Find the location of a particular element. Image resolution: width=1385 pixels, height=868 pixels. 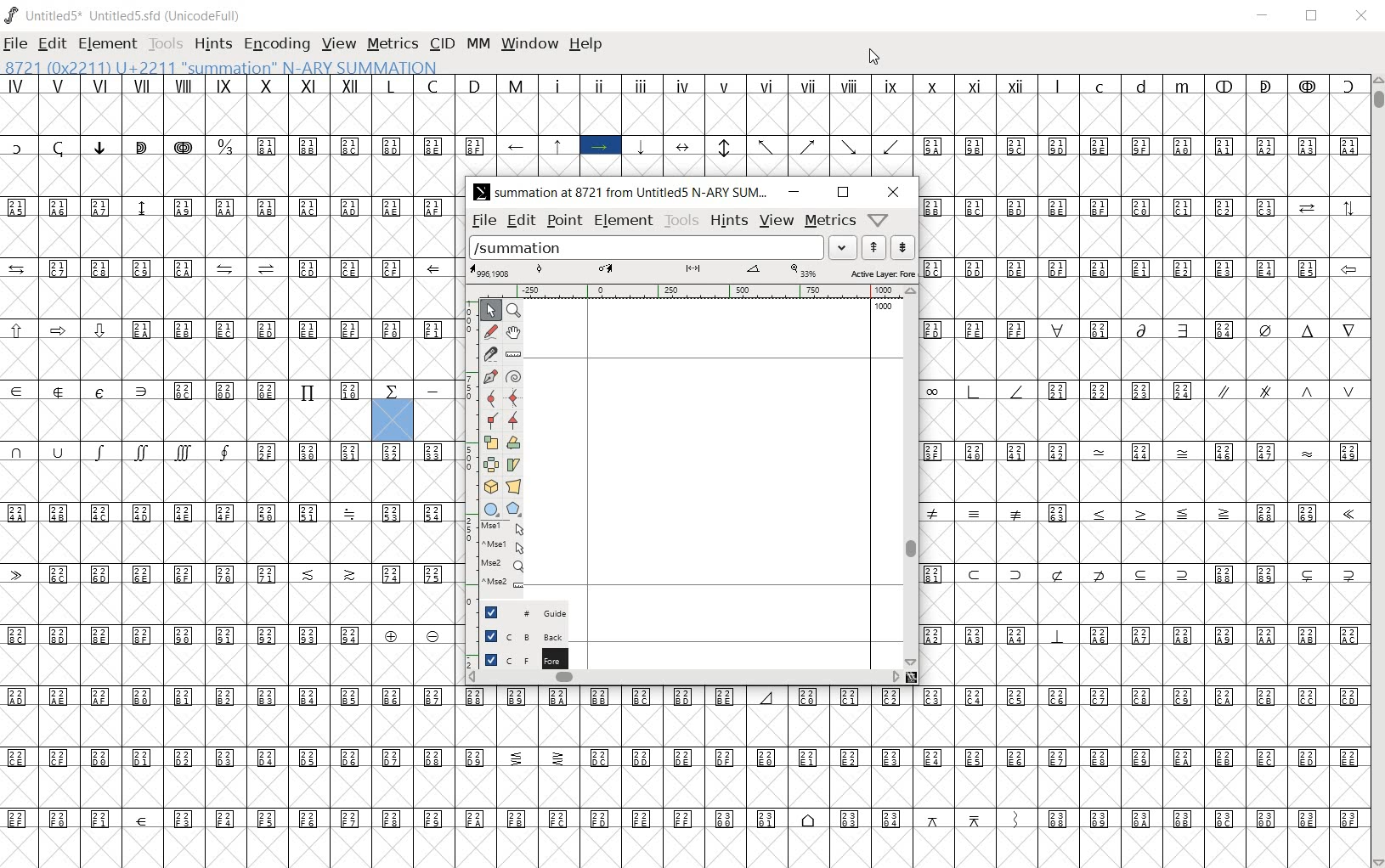

Help/Window is located at coordinates (881, 219).